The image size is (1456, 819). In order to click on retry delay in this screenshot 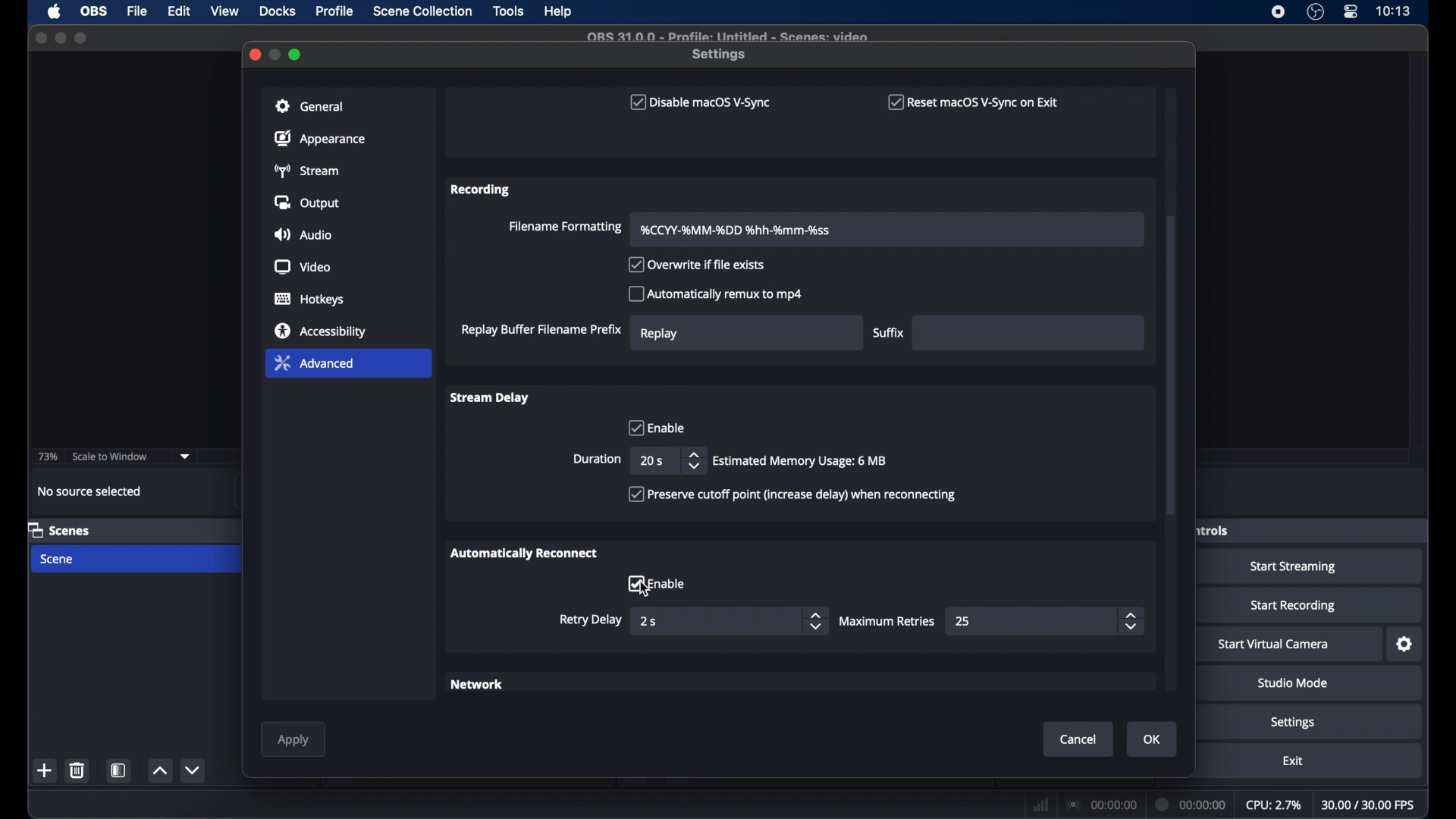, I will do `click(591, 620)`.